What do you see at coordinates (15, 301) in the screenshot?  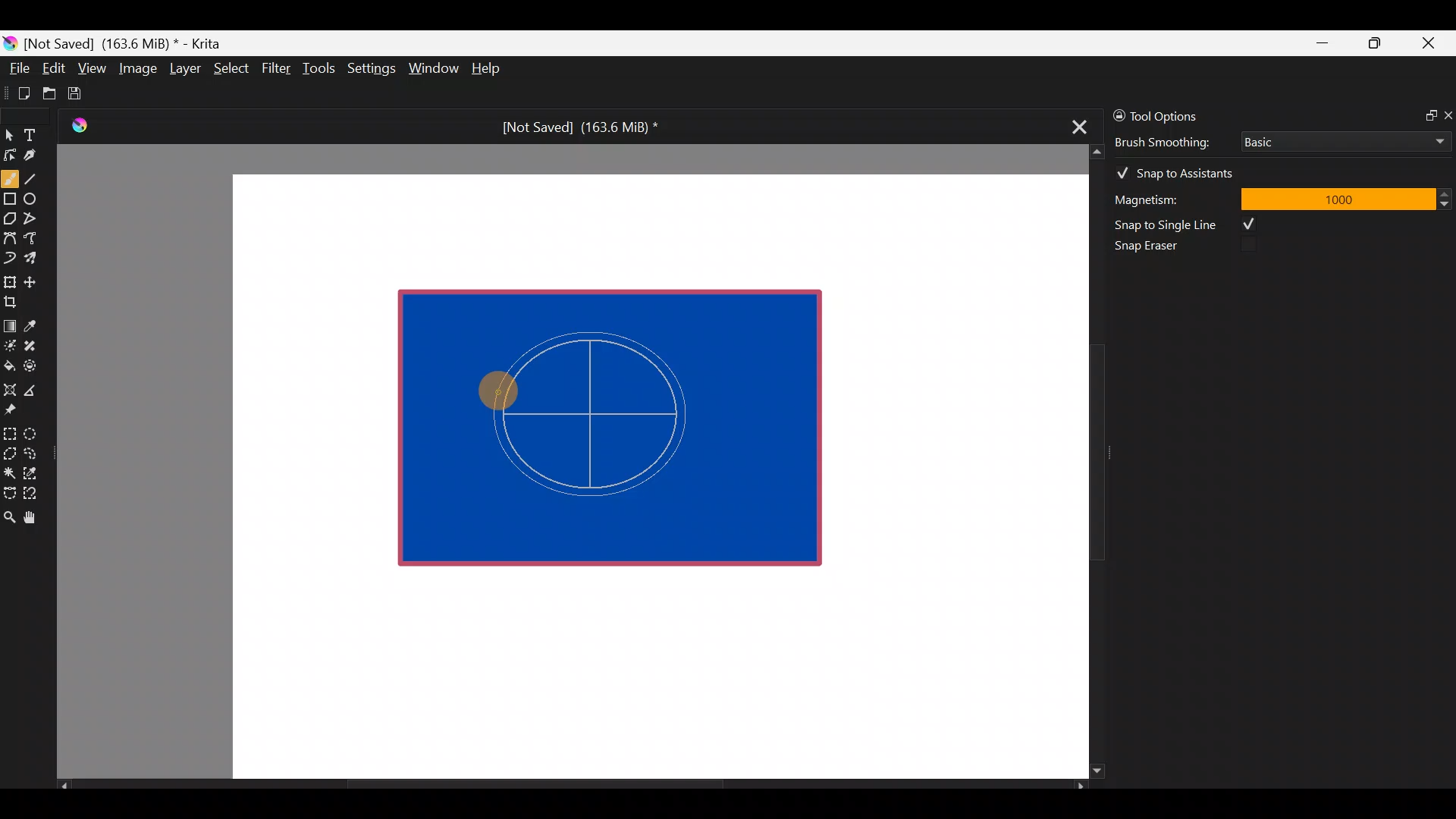 I see `Crop the image to an area` at bounding box center [15, 301].